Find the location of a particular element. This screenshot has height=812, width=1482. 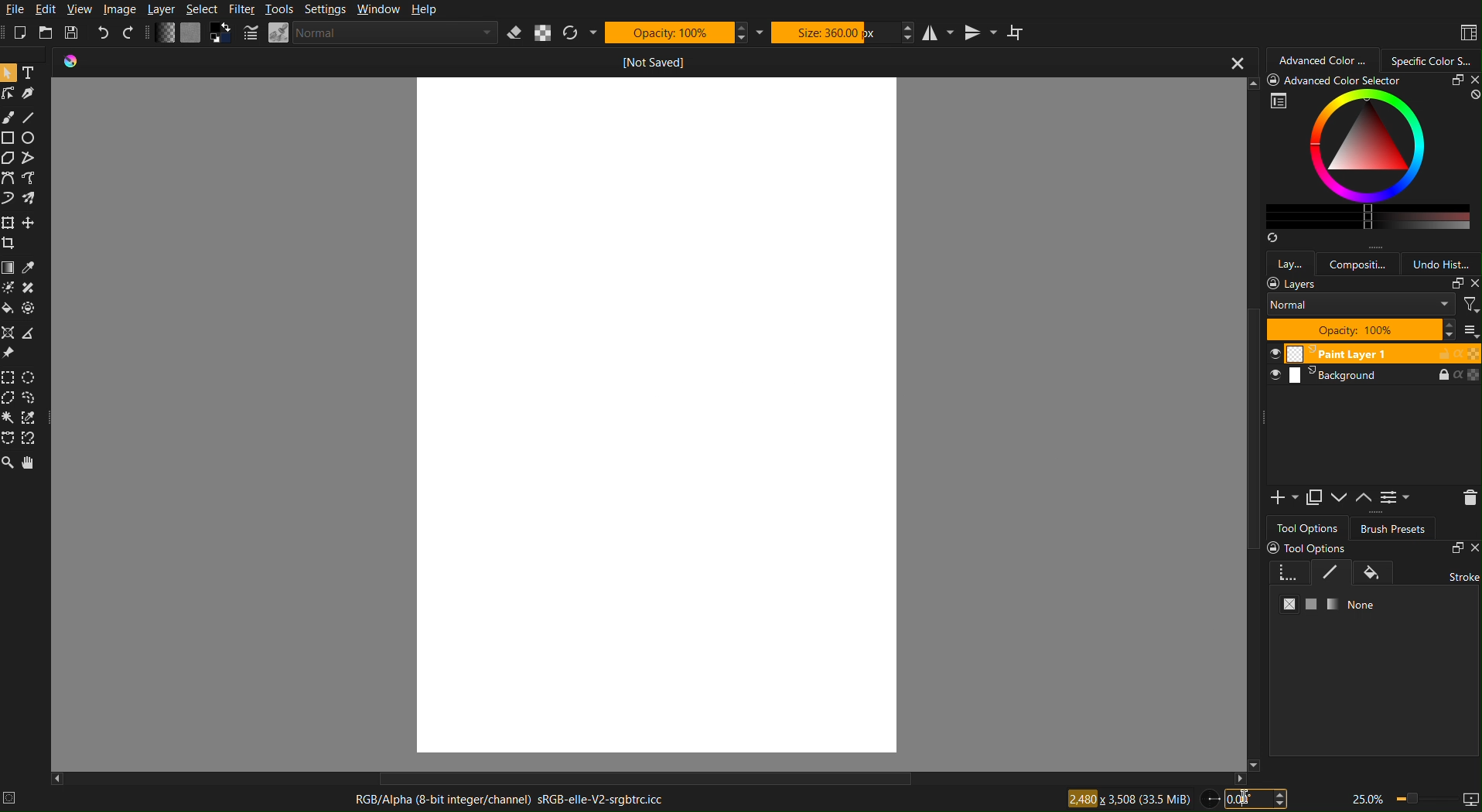

vanishing Point Assistant Tool is located at coordinates (8, 332).